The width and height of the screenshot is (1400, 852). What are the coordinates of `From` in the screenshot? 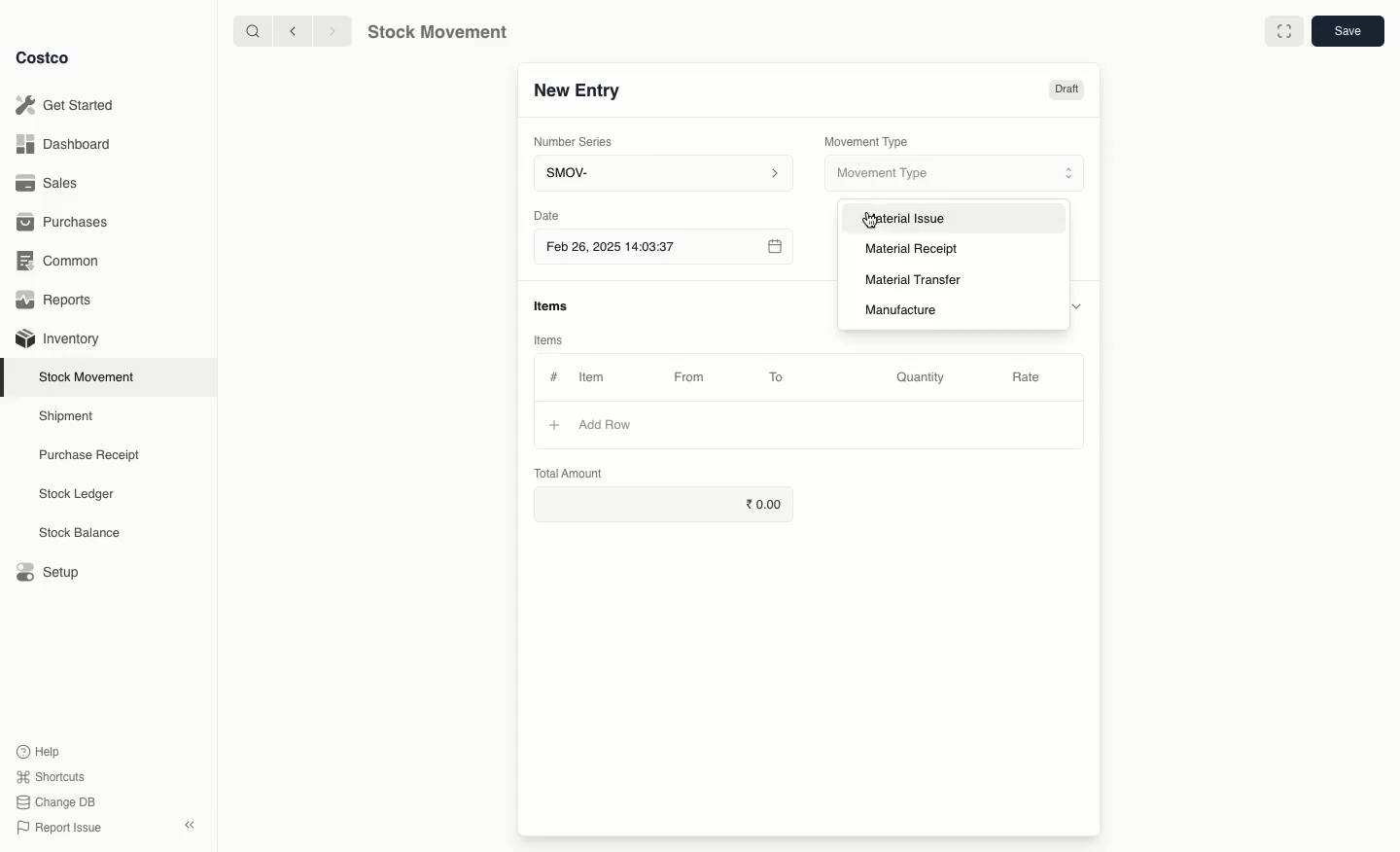 It's located at (696, 380).